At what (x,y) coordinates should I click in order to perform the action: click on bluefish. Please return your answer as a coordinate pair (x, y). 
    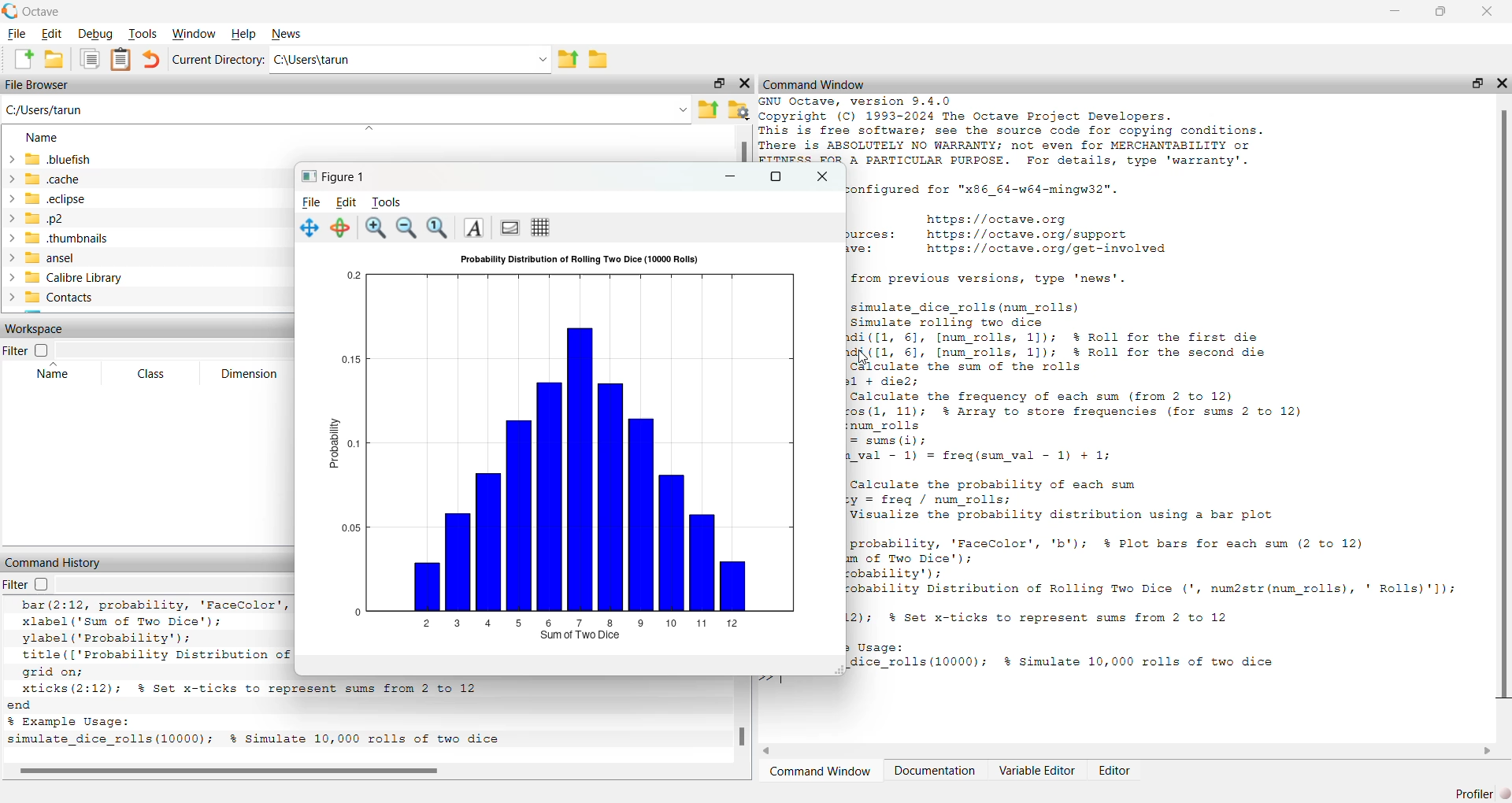
    Looking at the image, I should click on (55, 158).